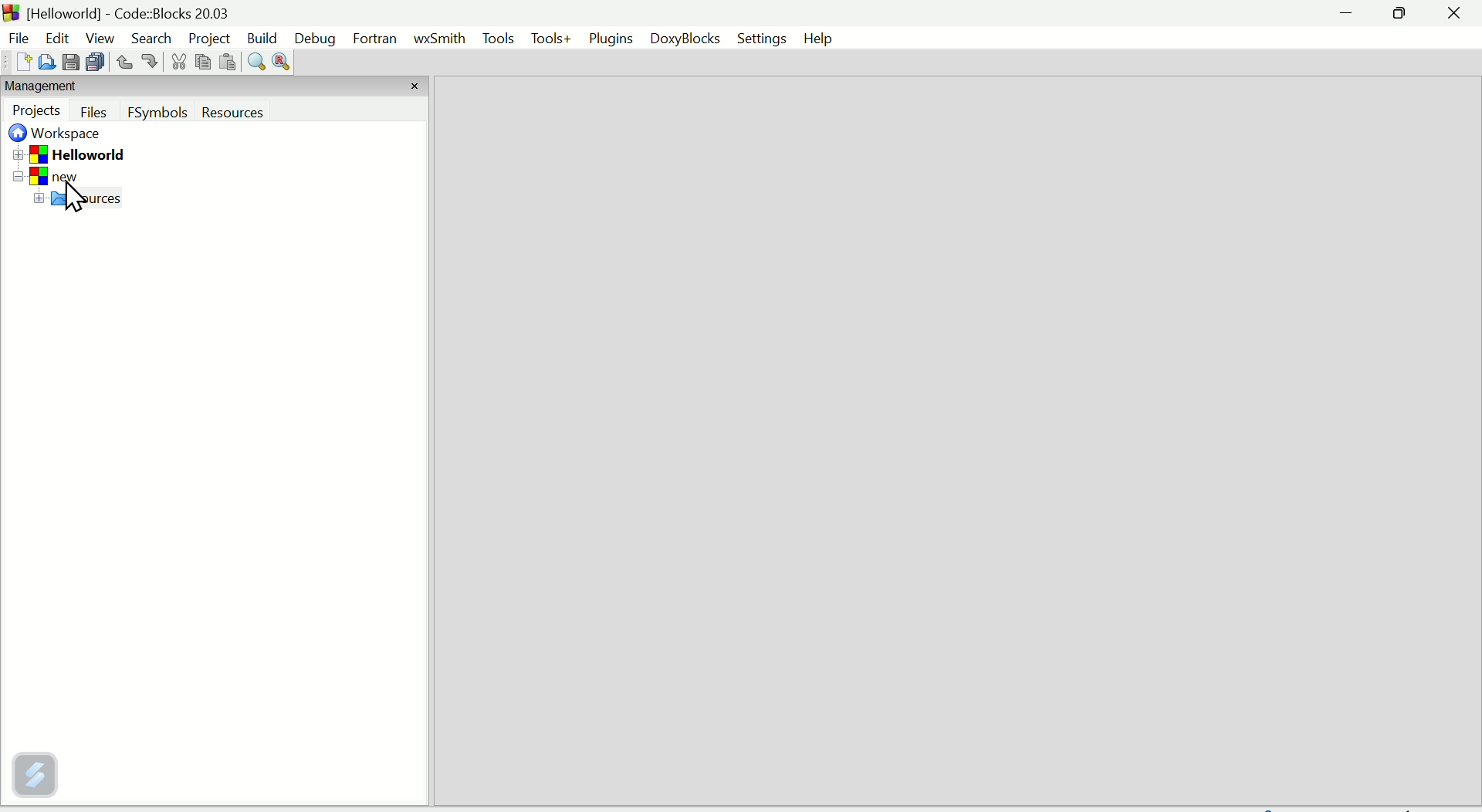 The width and height of the screenshot is (1482, 812). What do you see at coordinates (17, 63) in the screenshot?
I see `New` at bounding box center [17, 63].